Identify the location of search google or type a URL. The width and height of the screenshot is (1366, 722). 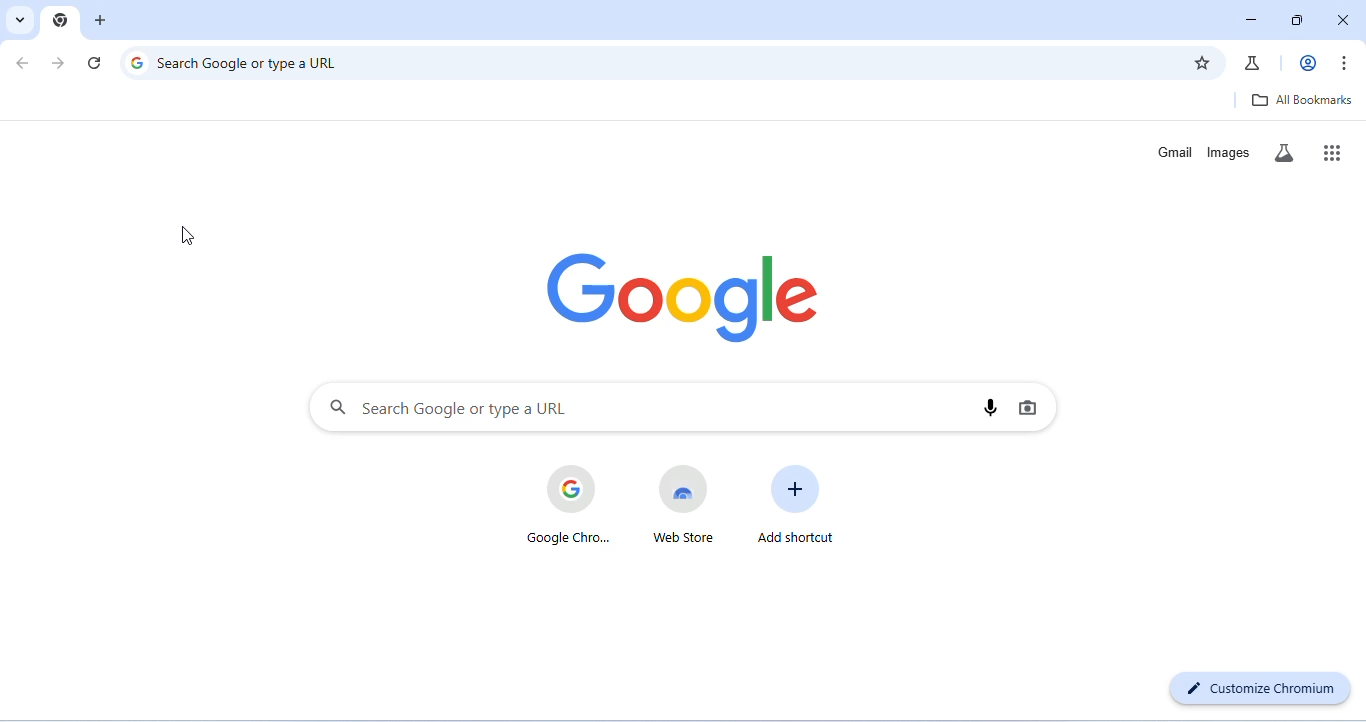
(651, 61).